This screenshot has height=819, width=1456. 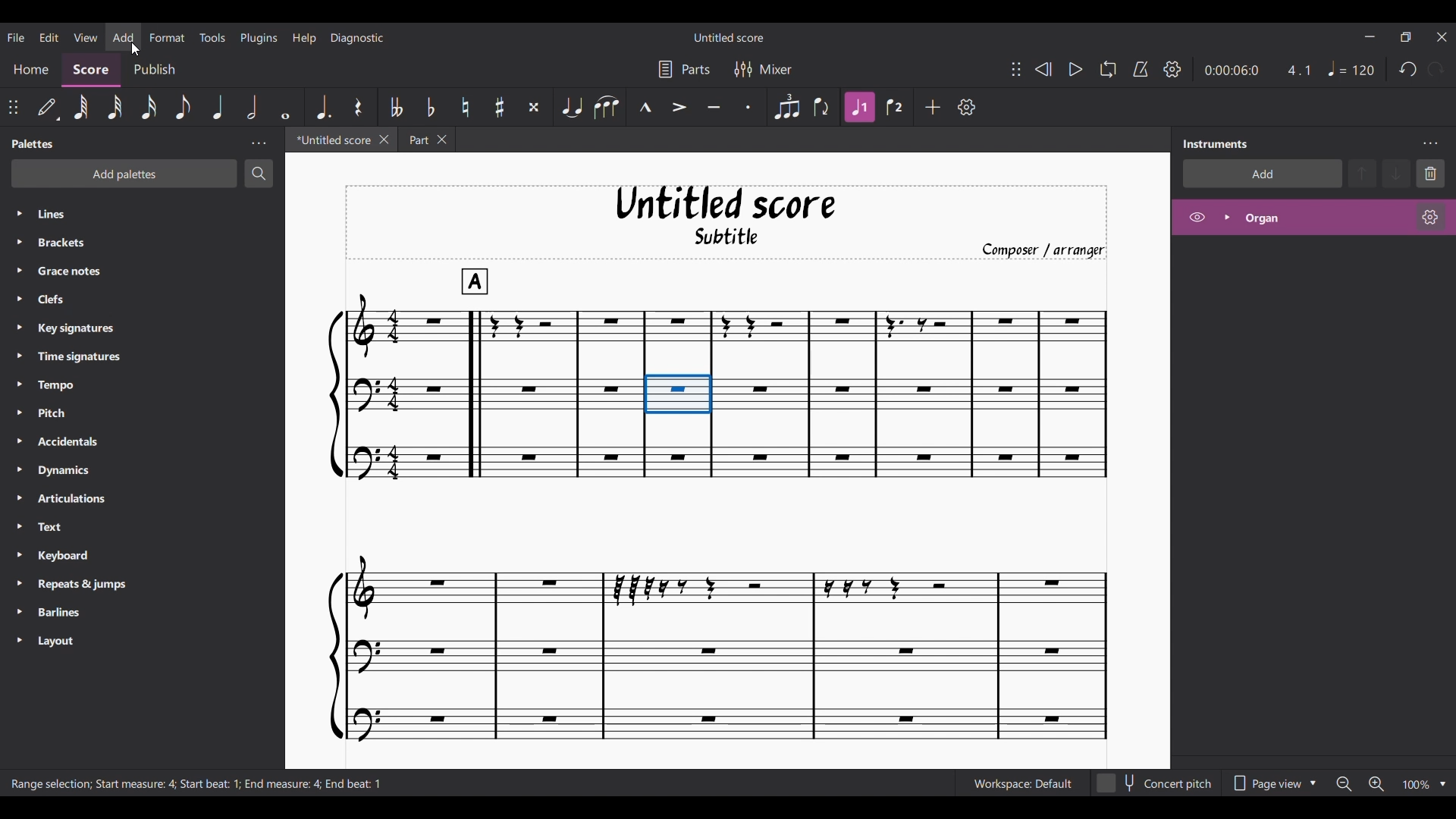 I want to click on 16th note, so click(x=149, y=107).